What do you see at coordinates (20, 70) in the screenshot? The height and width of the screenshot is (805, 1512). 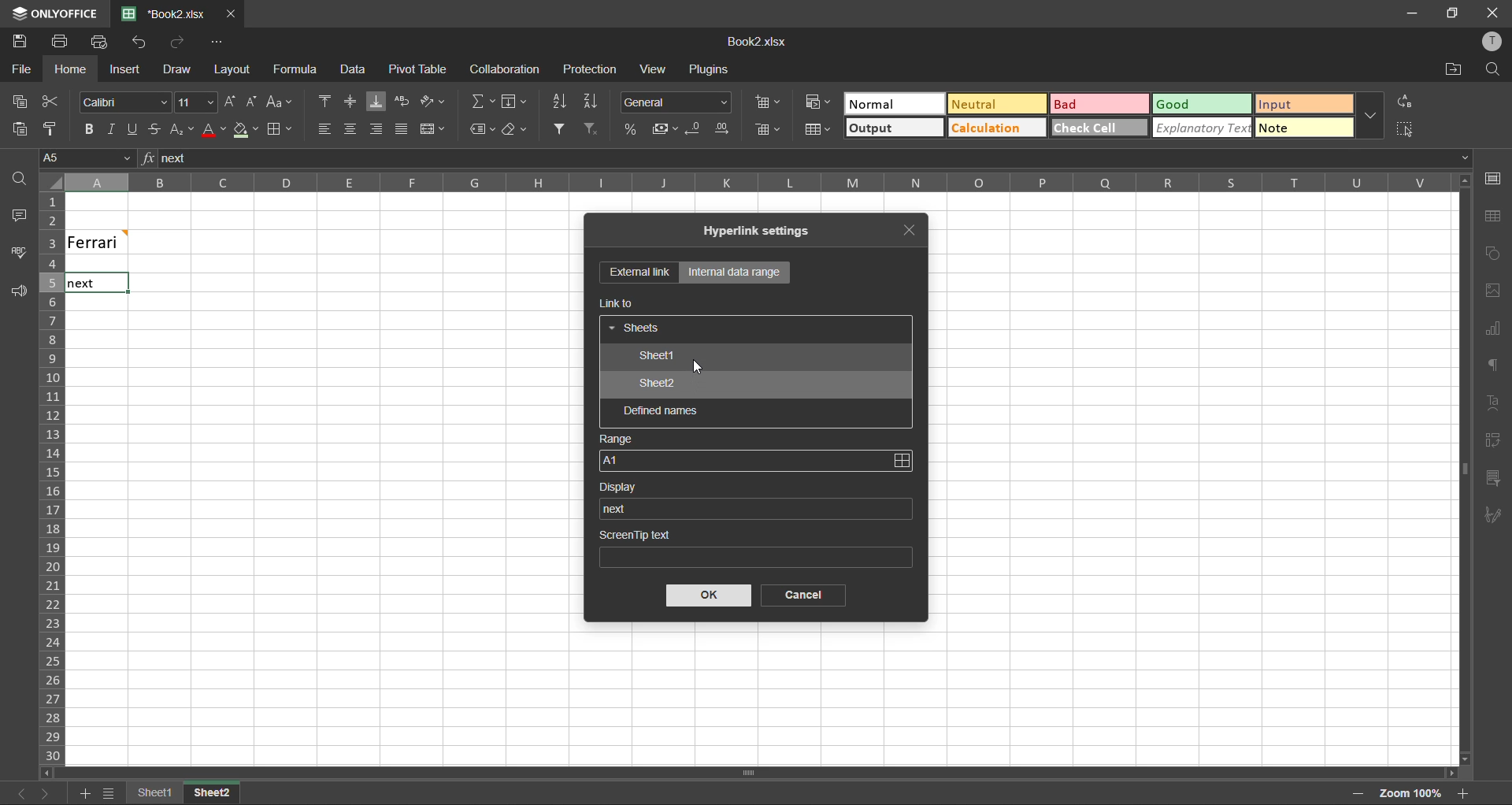 I see `file` at bounding box center [20, 70].